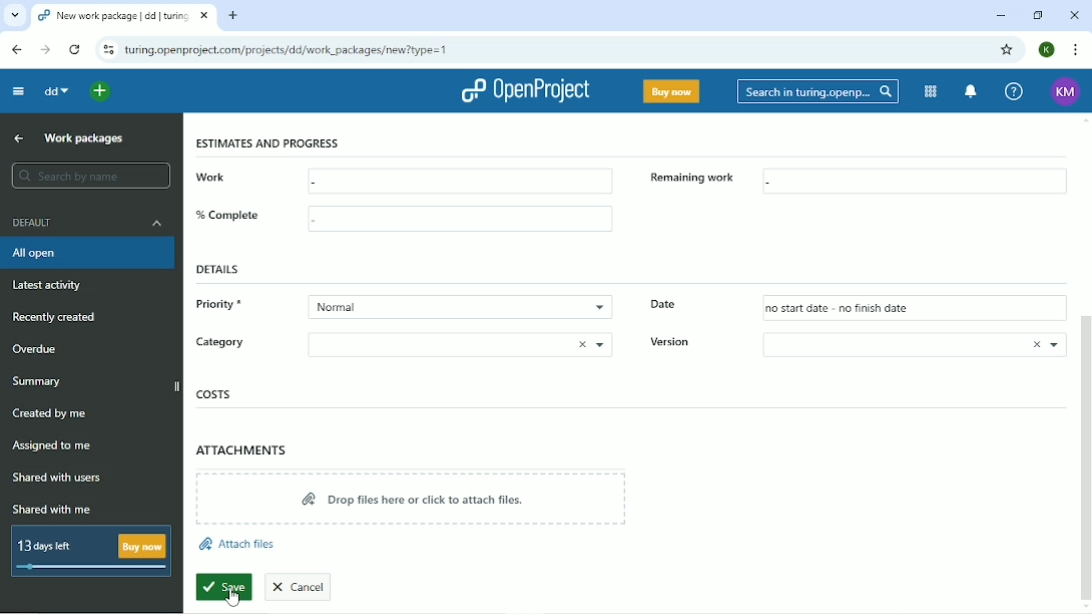 The image size is (1092, 614). I want to click on Restore down, so click(1039, 15).